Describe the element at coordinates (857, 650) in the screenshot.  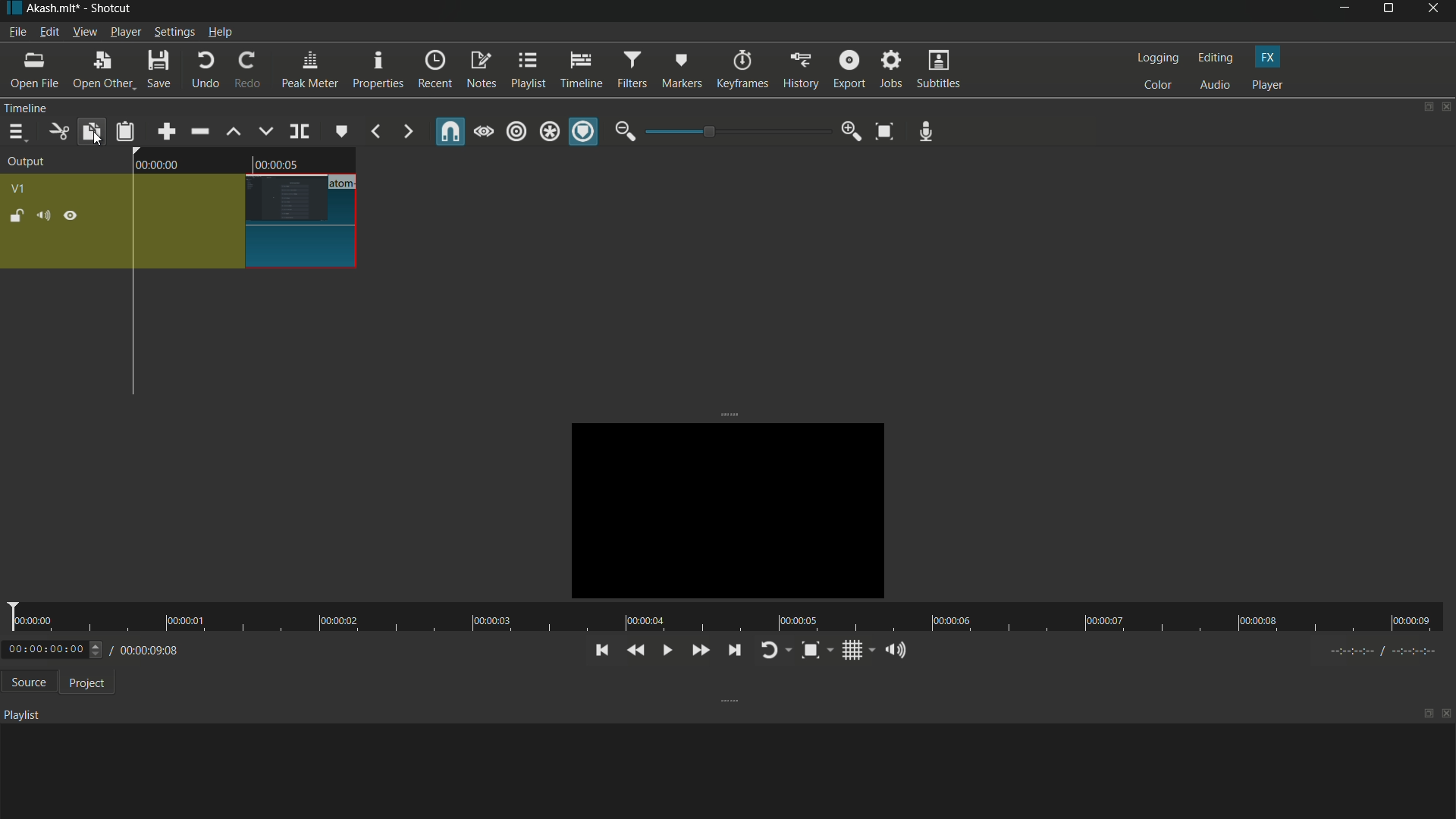
I see `toggle grid` at that location.